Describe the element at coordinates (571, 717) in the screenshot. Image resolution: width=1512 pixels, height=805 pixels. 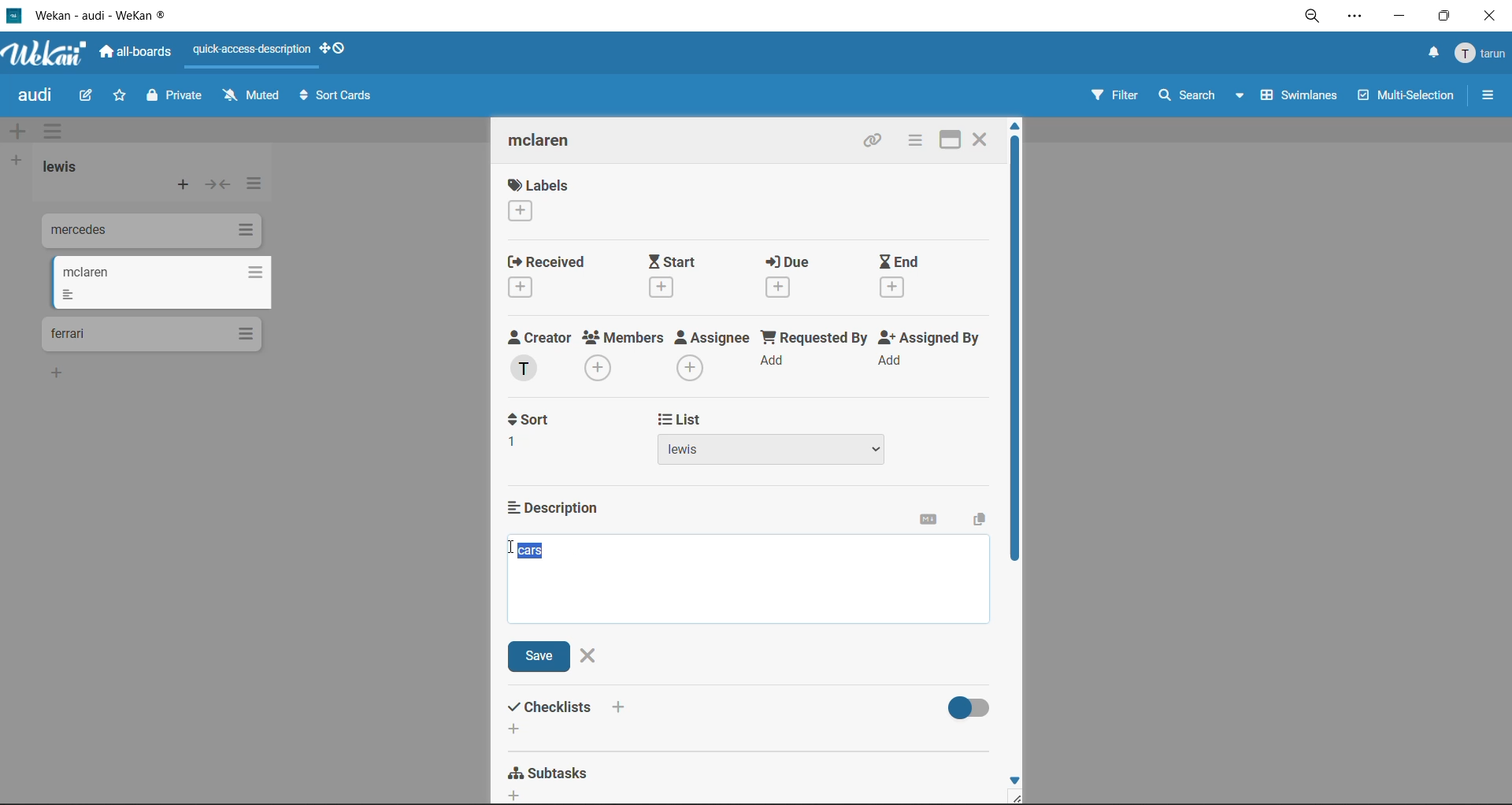
I see `checklists` at that location.